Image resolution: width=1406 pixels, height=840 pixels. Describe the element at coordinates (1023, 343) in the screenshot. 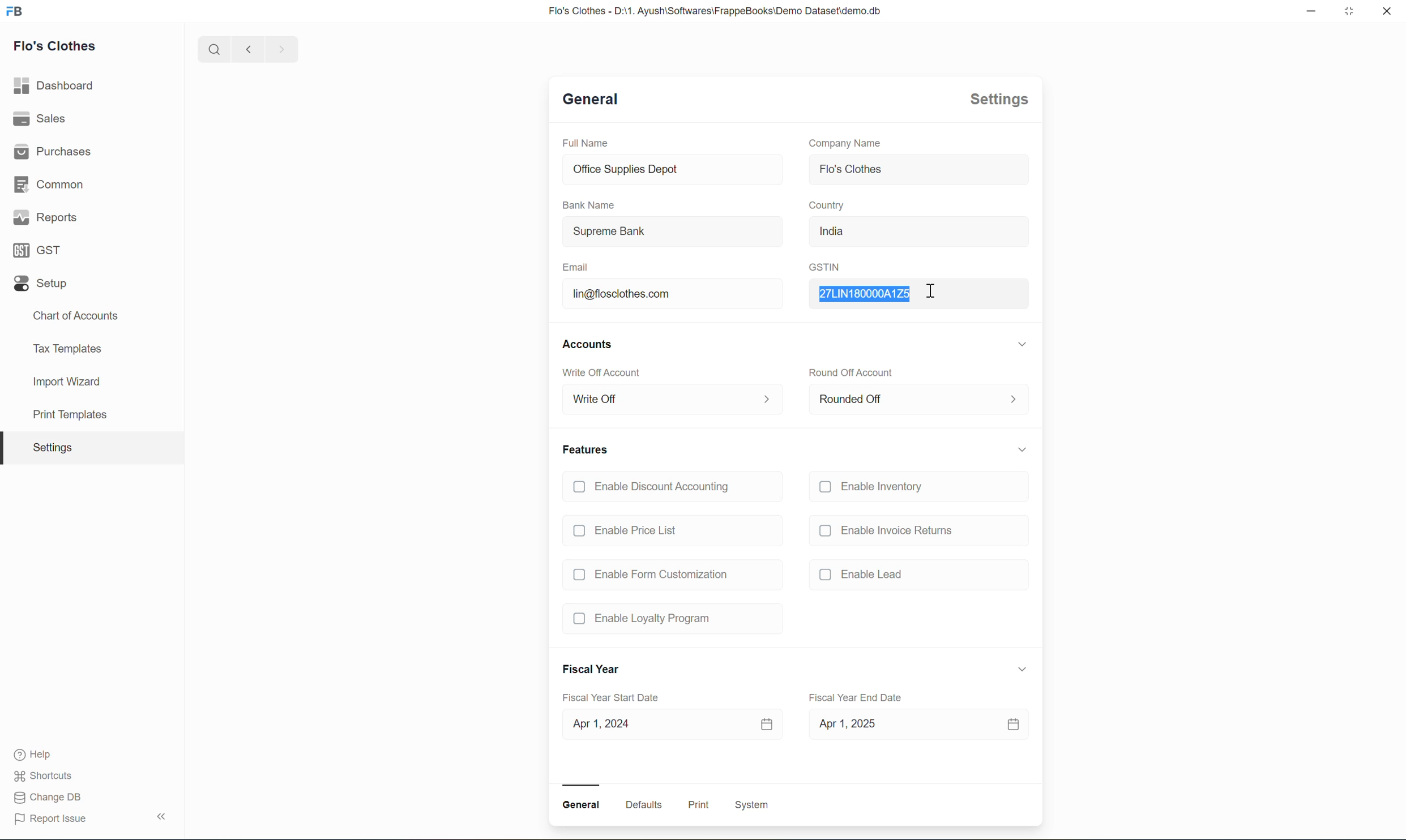

I see `Expand/collapse` at that location.